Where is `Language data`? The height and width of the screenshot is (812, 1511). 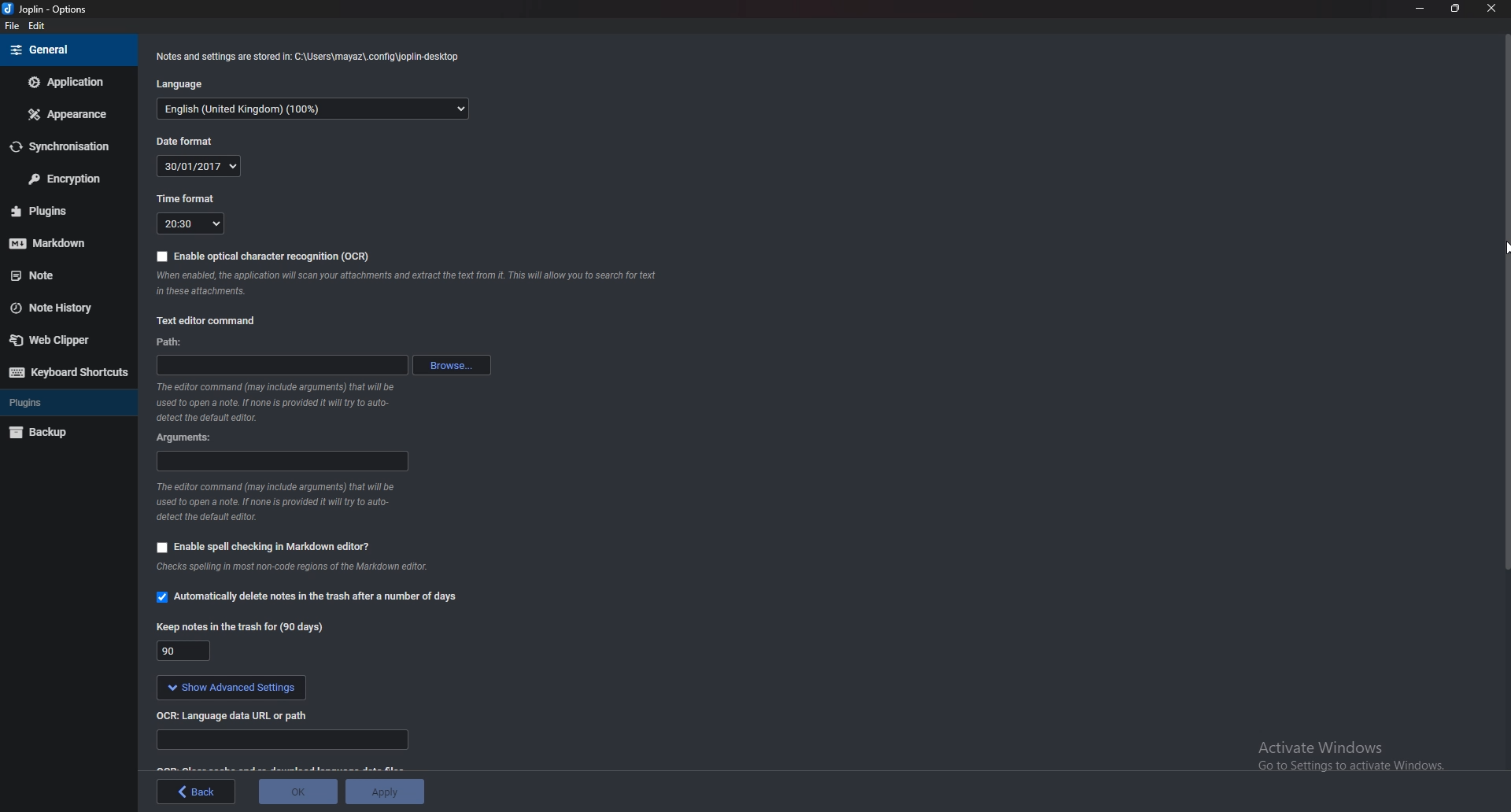
Language data is located at coordinates (279, 740).